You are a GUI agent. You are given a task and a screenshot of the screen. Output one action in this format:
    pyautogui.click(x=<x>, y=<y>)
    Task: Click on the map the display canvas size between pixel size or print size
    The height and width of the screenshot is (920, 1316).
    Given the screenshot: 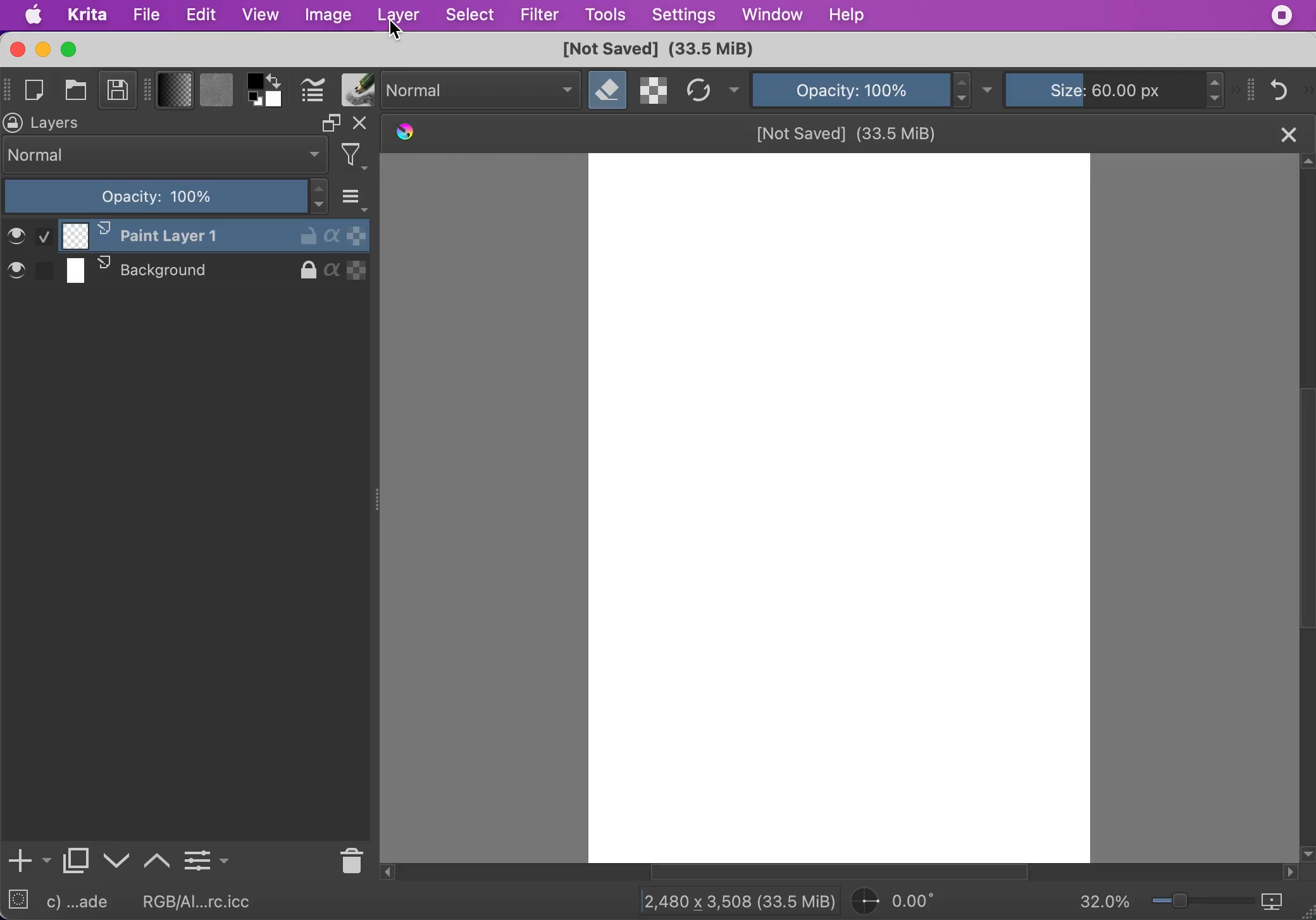 What is the action you would take?
    pyautogui.click(x=1281, y=902)
    